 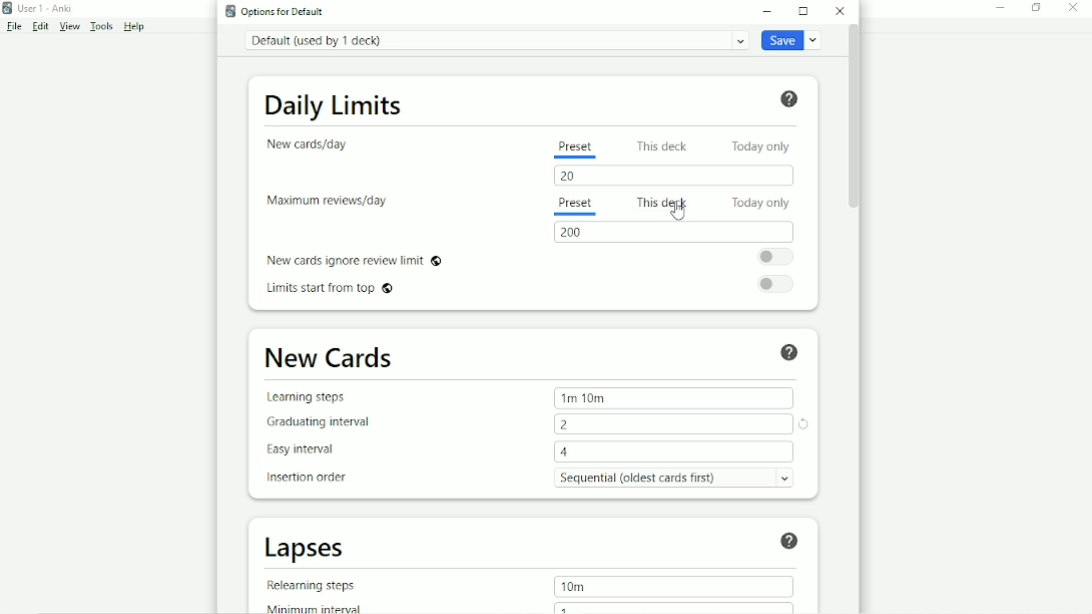 What do you see at coordinates (781, 283) in the screenshot?
I see `Toggle on/off` at bounding box center [781, 283].